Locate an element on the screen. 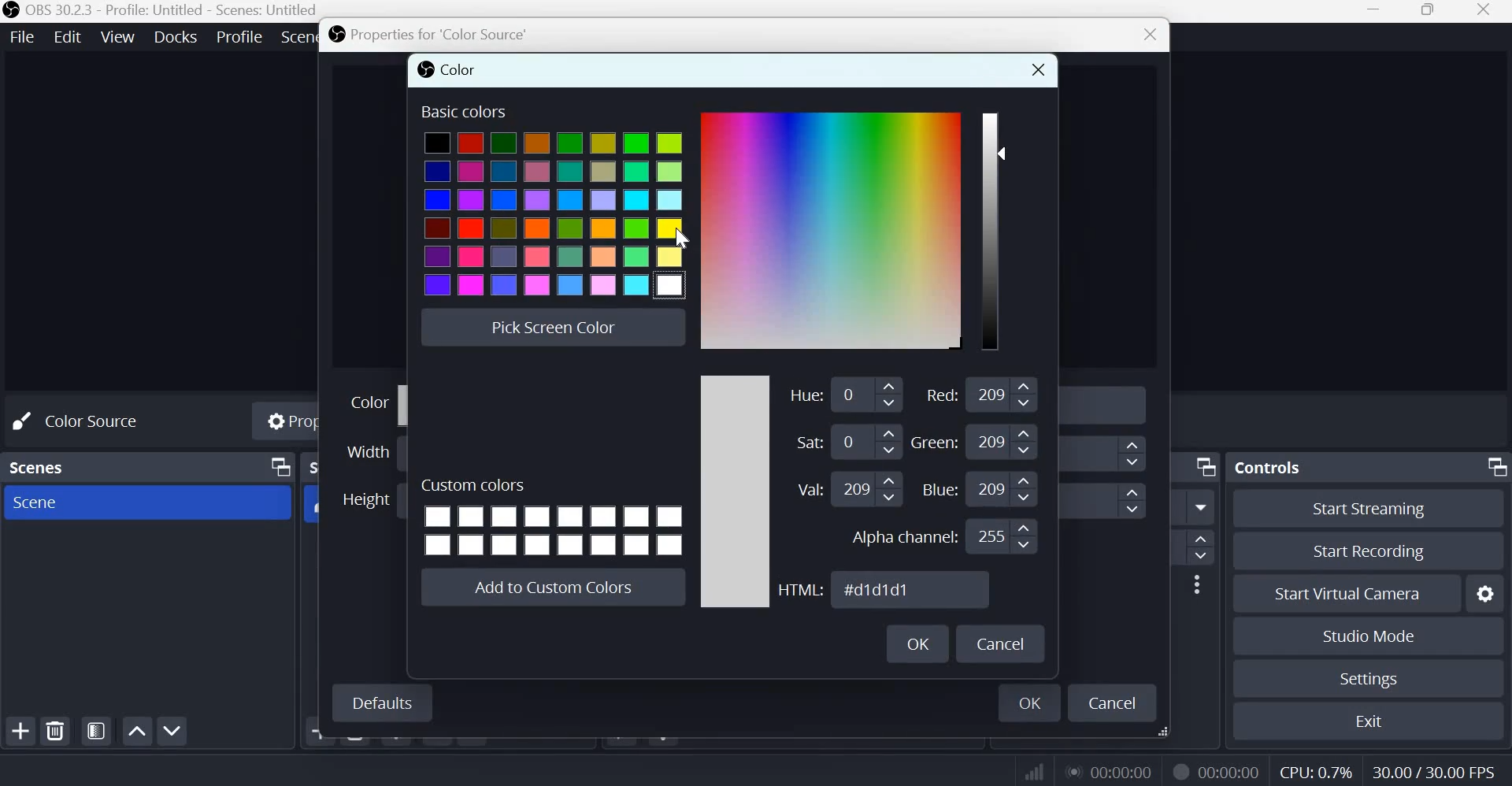  Profile is located at coordinates (238, 36).